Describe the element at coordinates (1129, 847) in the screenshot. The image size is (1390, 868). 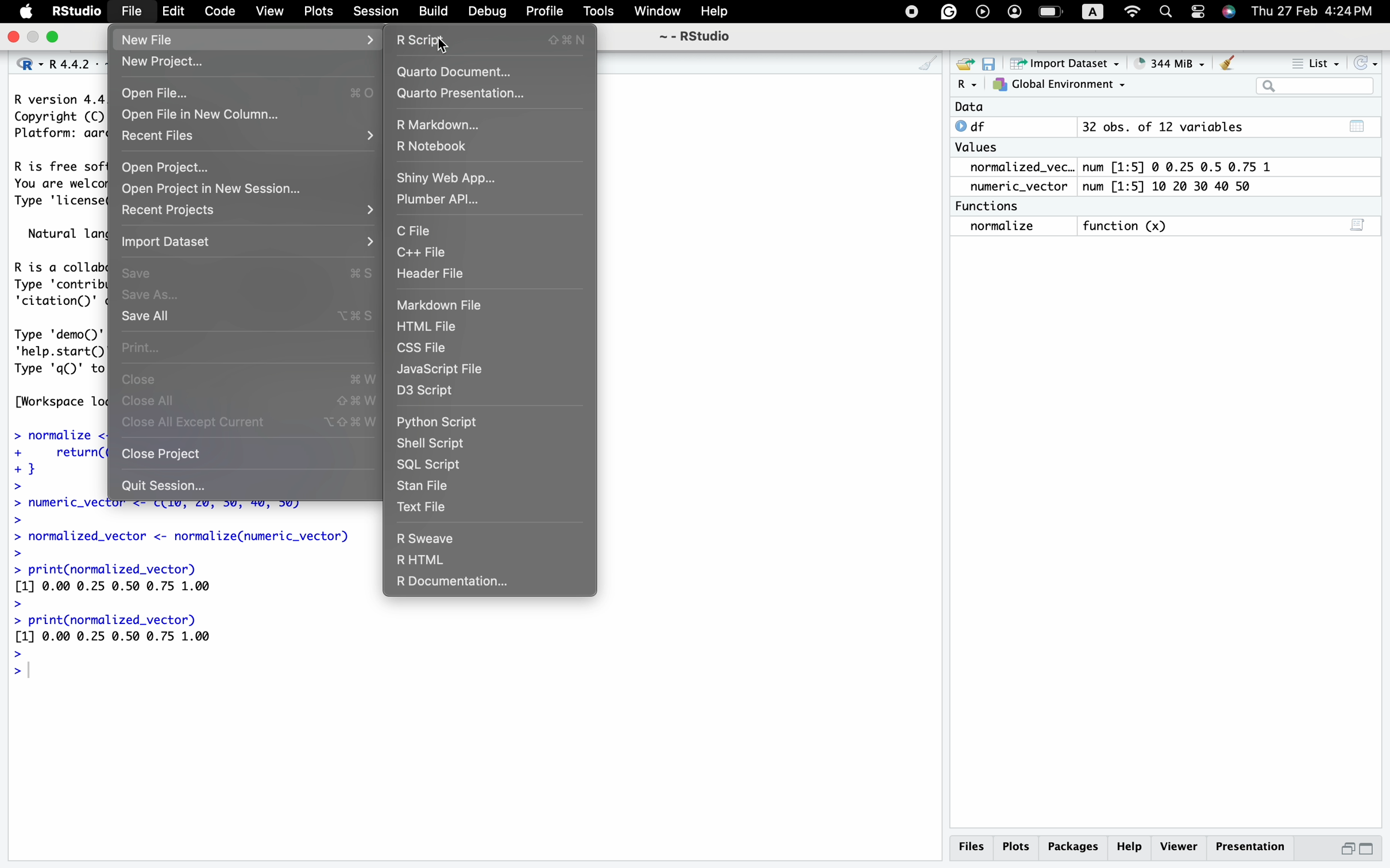
I see `Help` at that location.